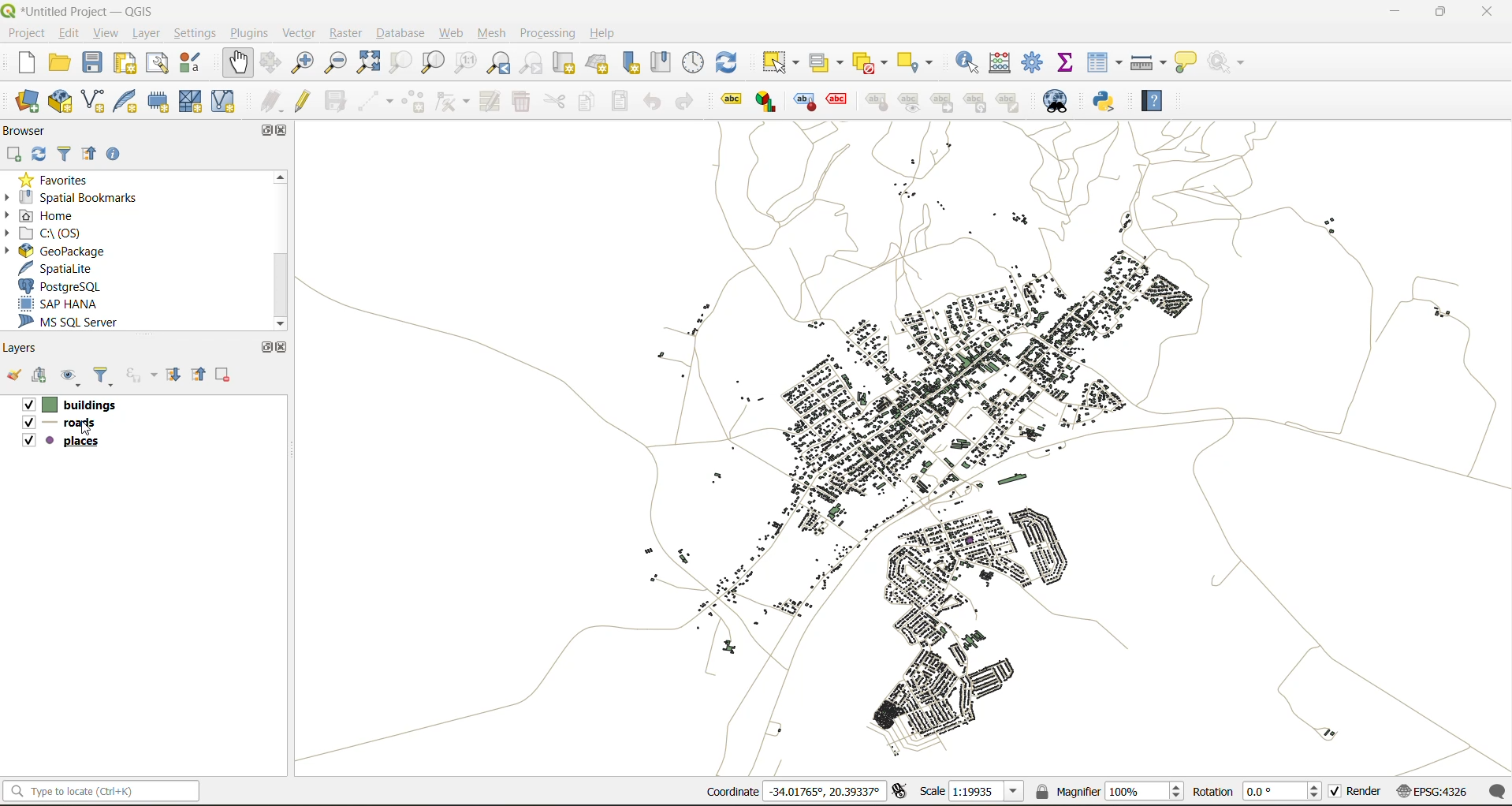 This screenshot has width=1512, height=806. I want to click on close, so click(1488, 12).